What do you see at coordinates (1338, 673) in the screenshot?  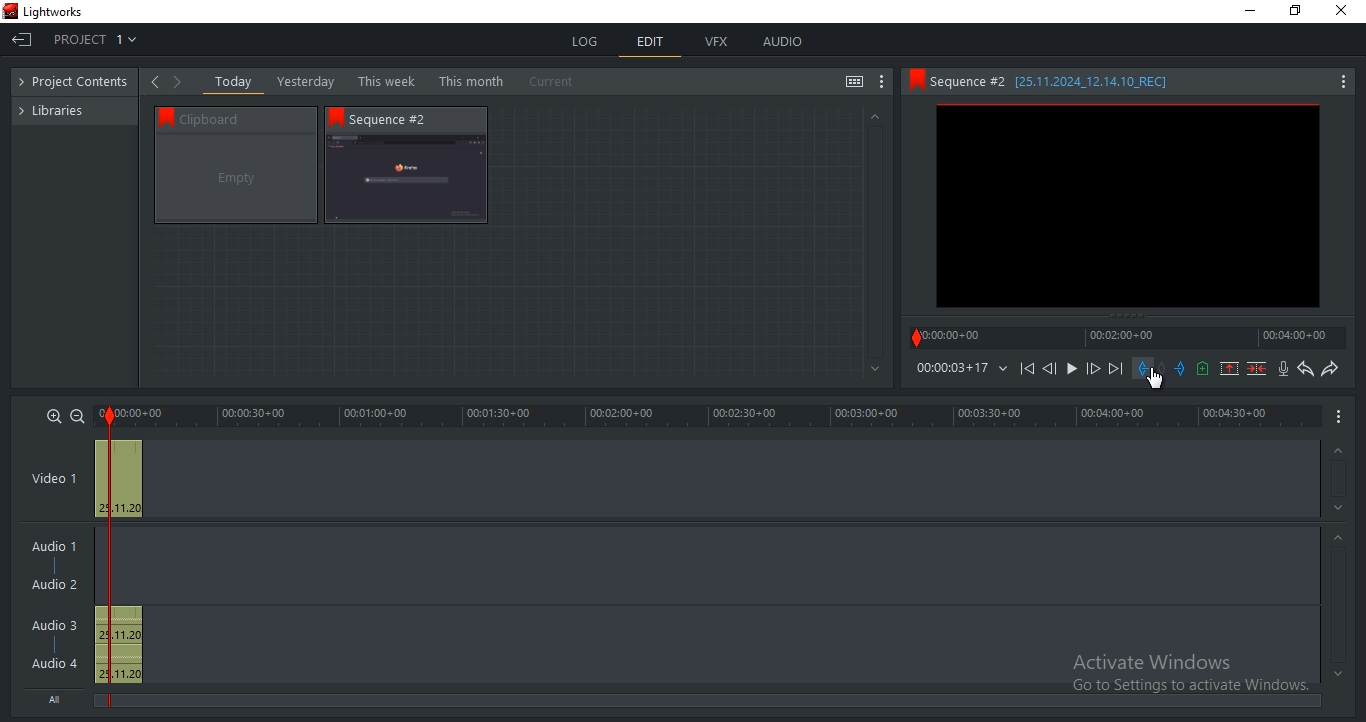 I see `Greyed out down arrow` at bounding box center [1338, 673].